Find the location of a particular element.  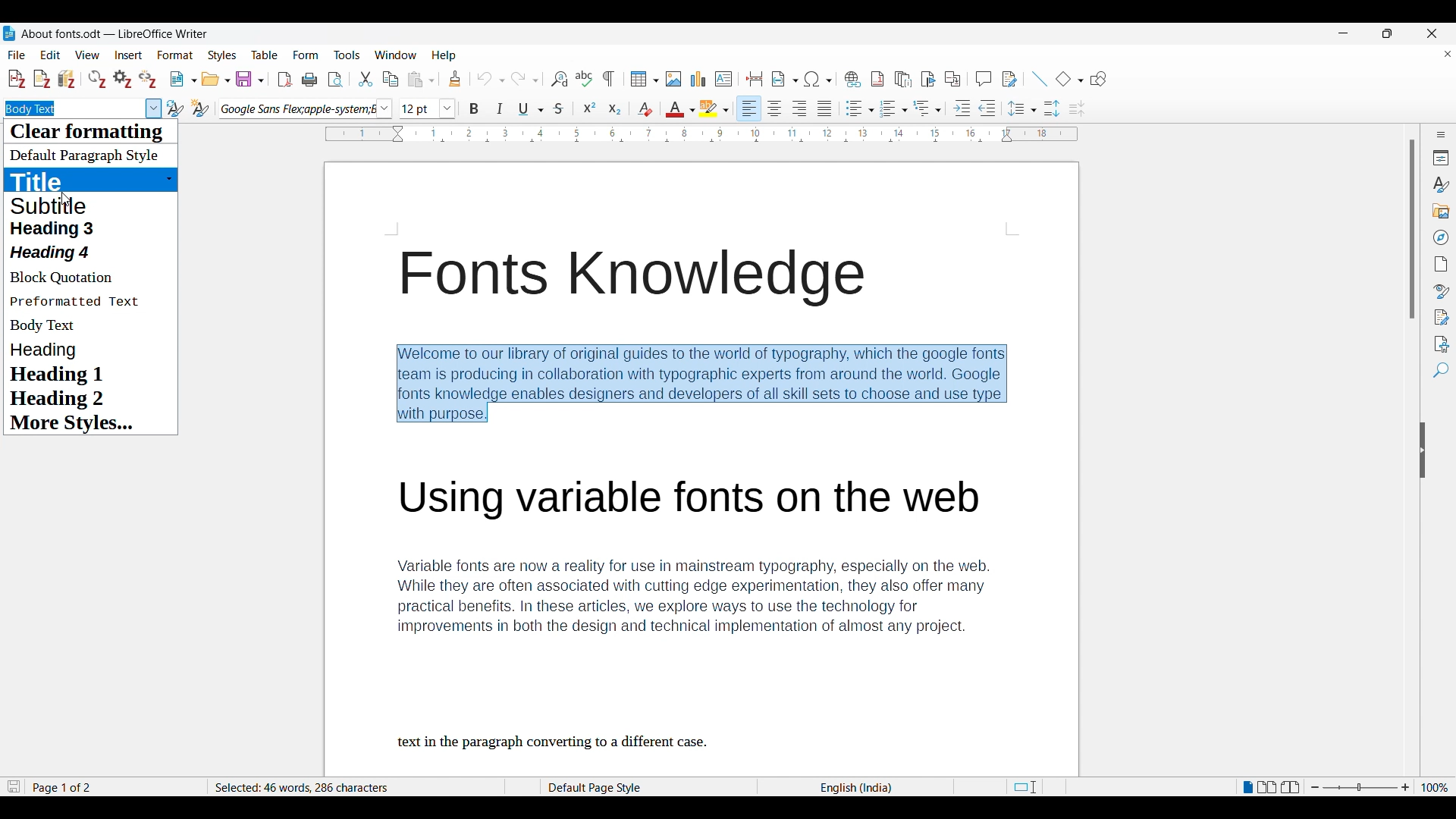

Export directly as PDF is located at coordinates (286, 80).